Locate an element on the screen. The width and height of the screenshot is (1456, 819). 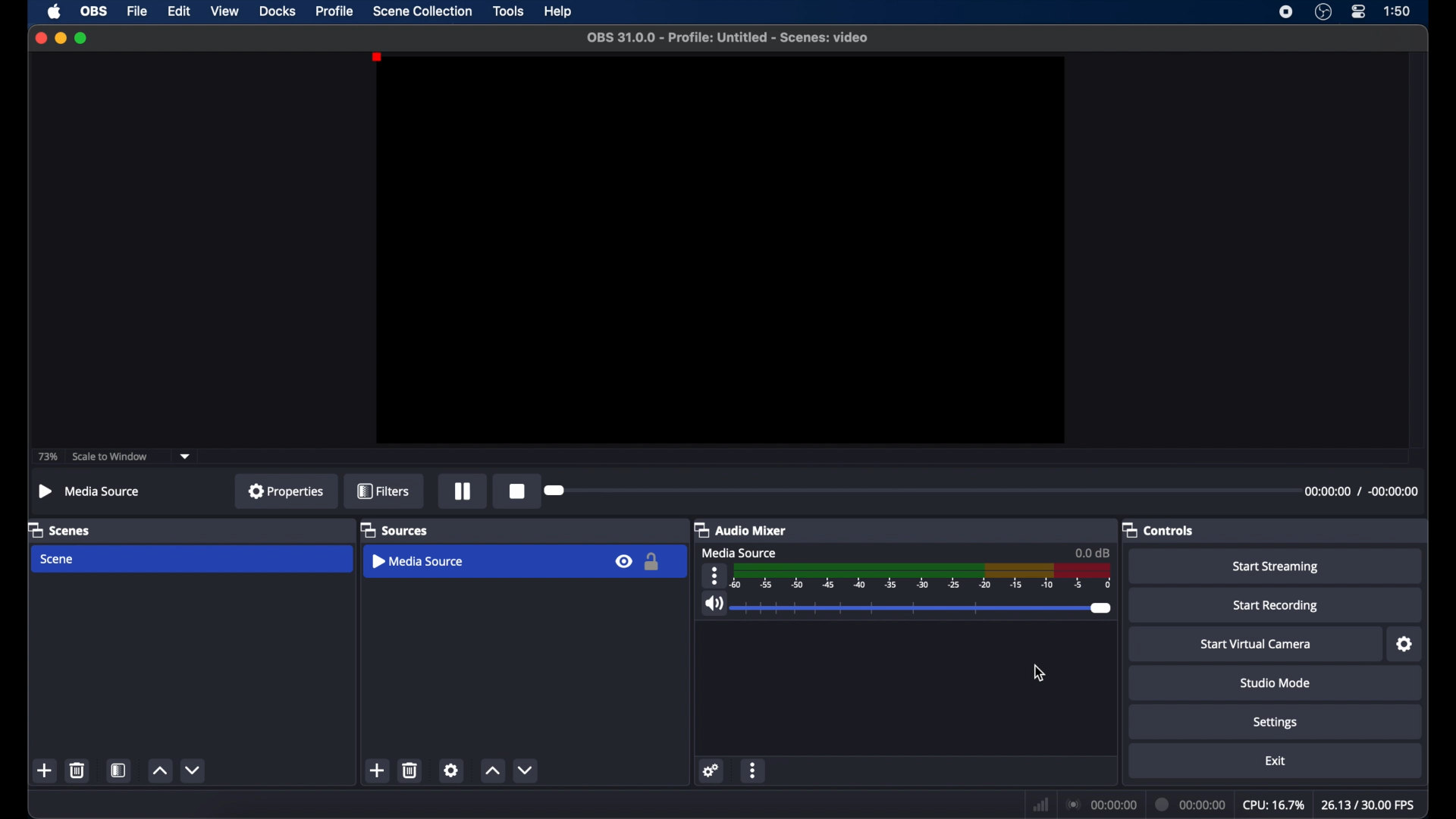
duration is located at coordinates (1192, 803).